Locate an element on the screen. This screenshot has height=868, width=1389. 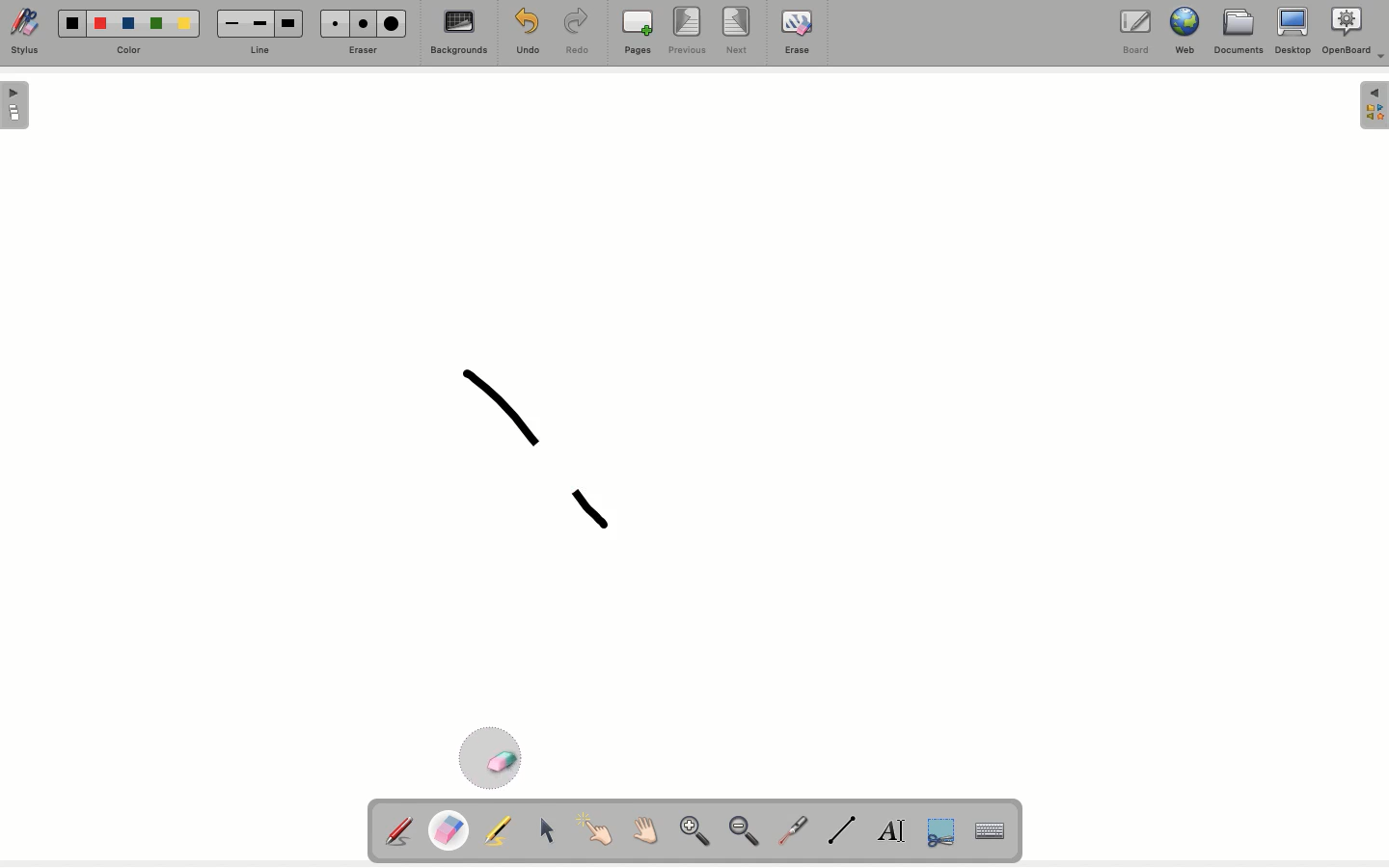
Medium is located at coordinates (259, 24).